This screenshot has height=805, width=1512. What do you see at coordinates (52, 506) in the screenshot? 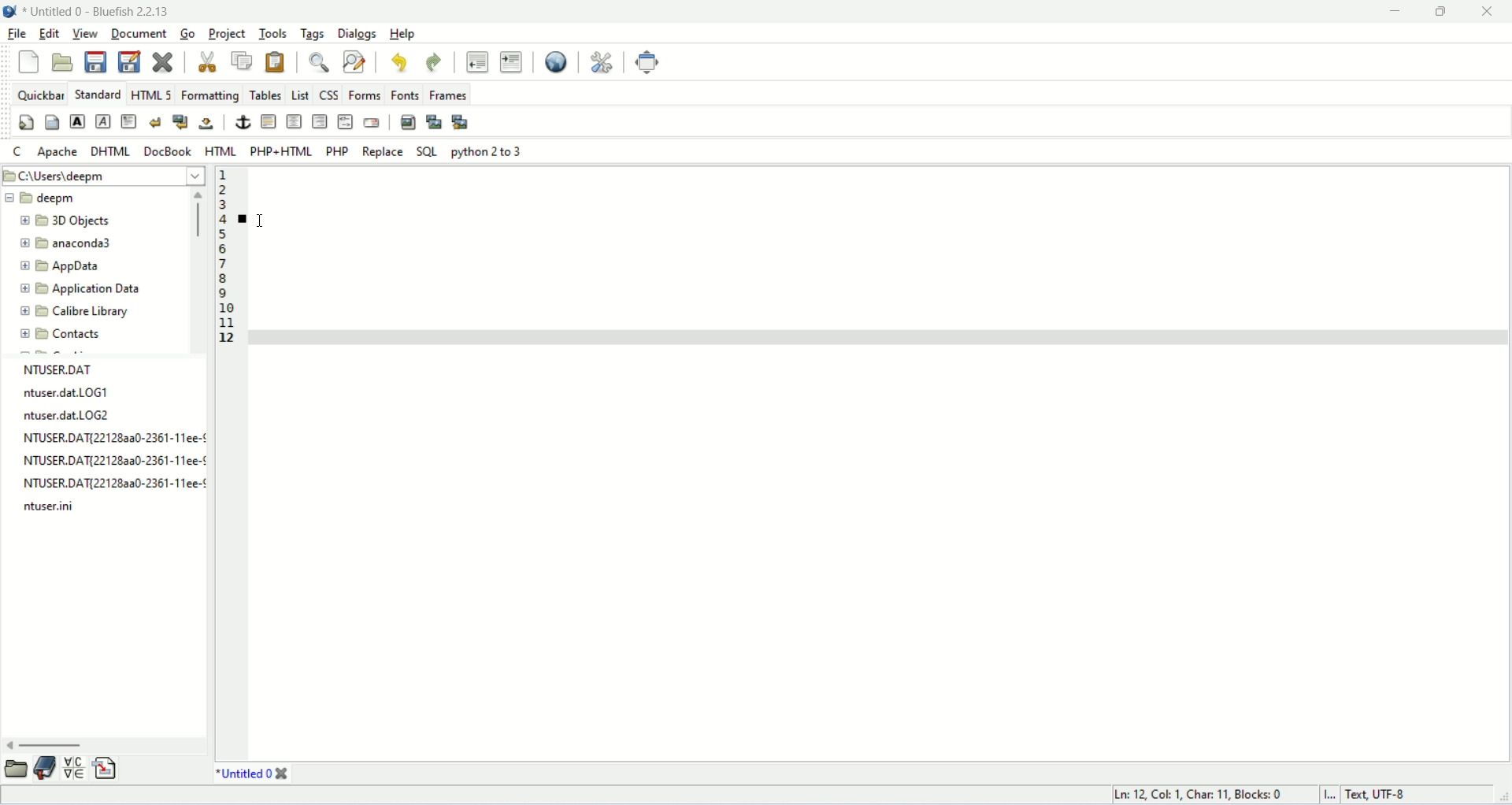
I see `ntuser.ini` at bounding box center [52, 506].